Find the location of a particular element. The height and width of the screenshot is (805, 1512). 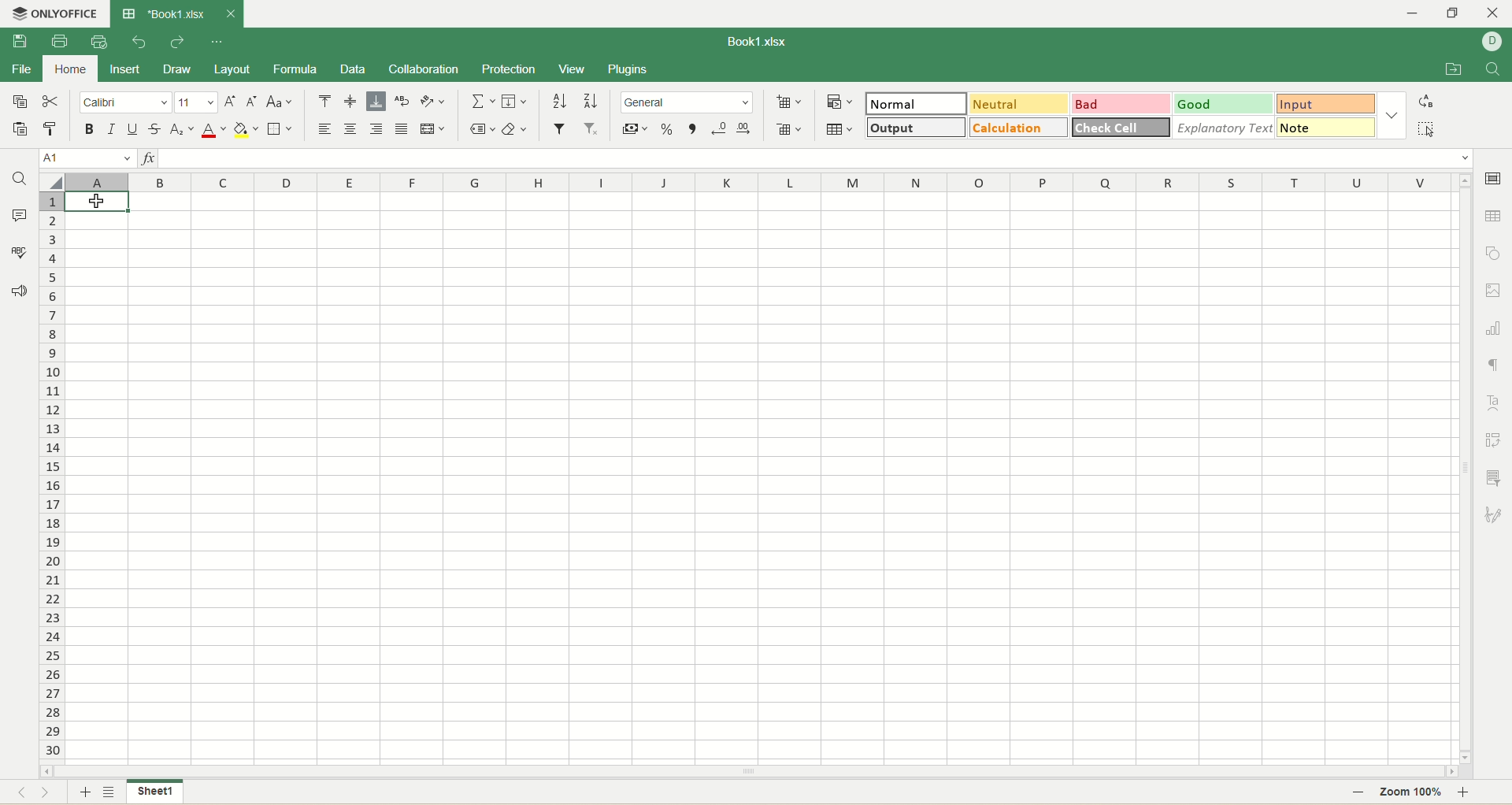

neutral is located at coordinates (1018, 102).